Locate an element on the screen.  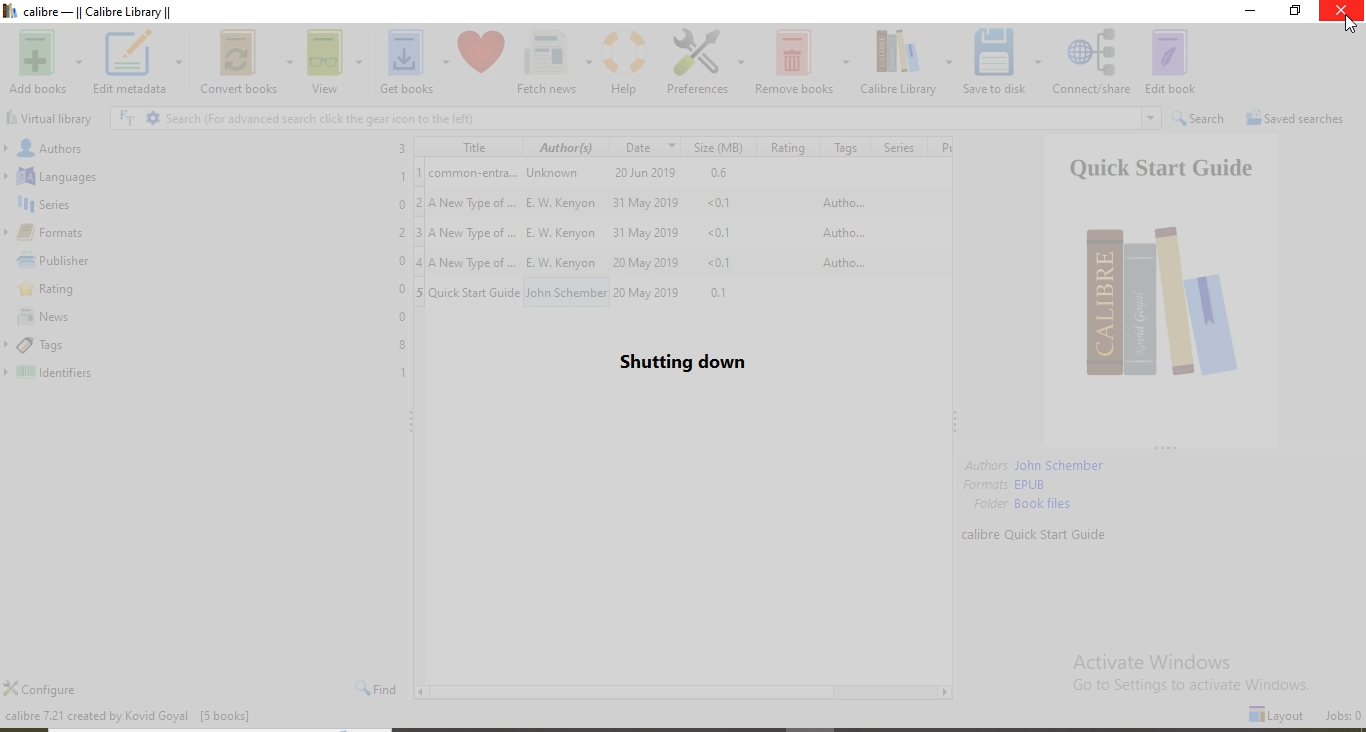
<0.1 is located at coordinates (730, 233).